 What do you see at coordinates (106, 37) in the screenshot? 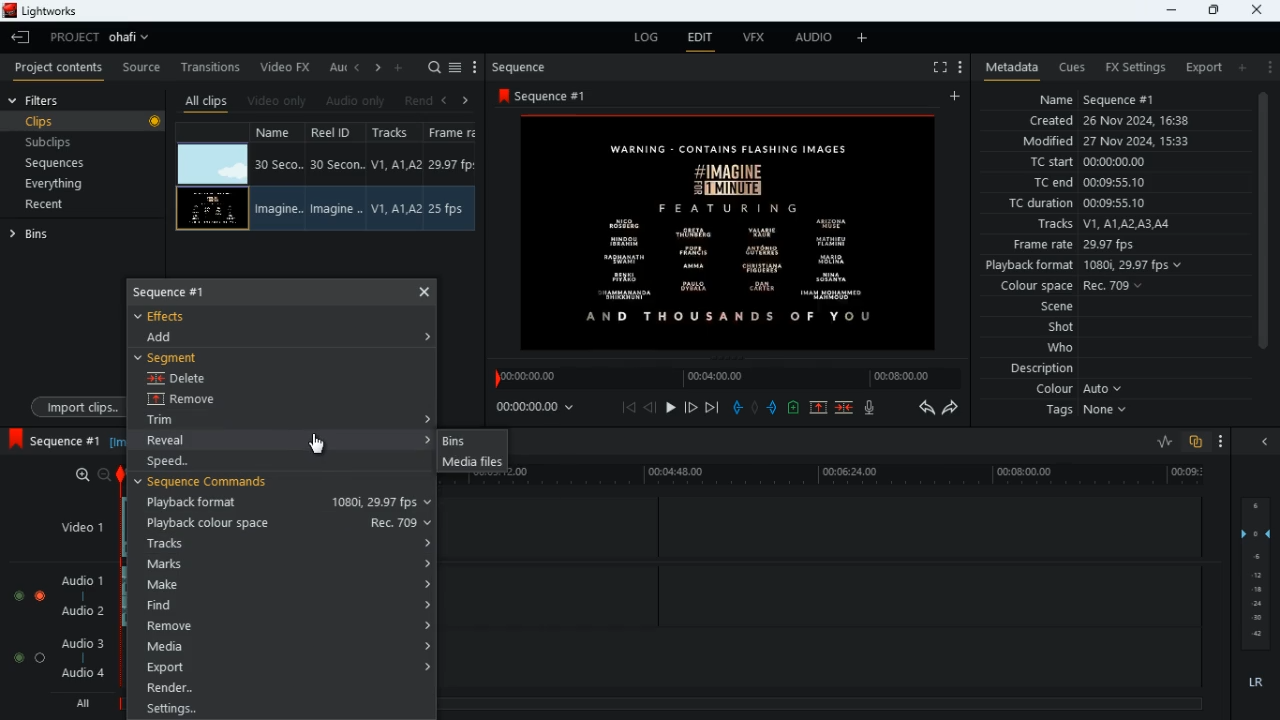
I see `project` at bounding box center [106, 37].